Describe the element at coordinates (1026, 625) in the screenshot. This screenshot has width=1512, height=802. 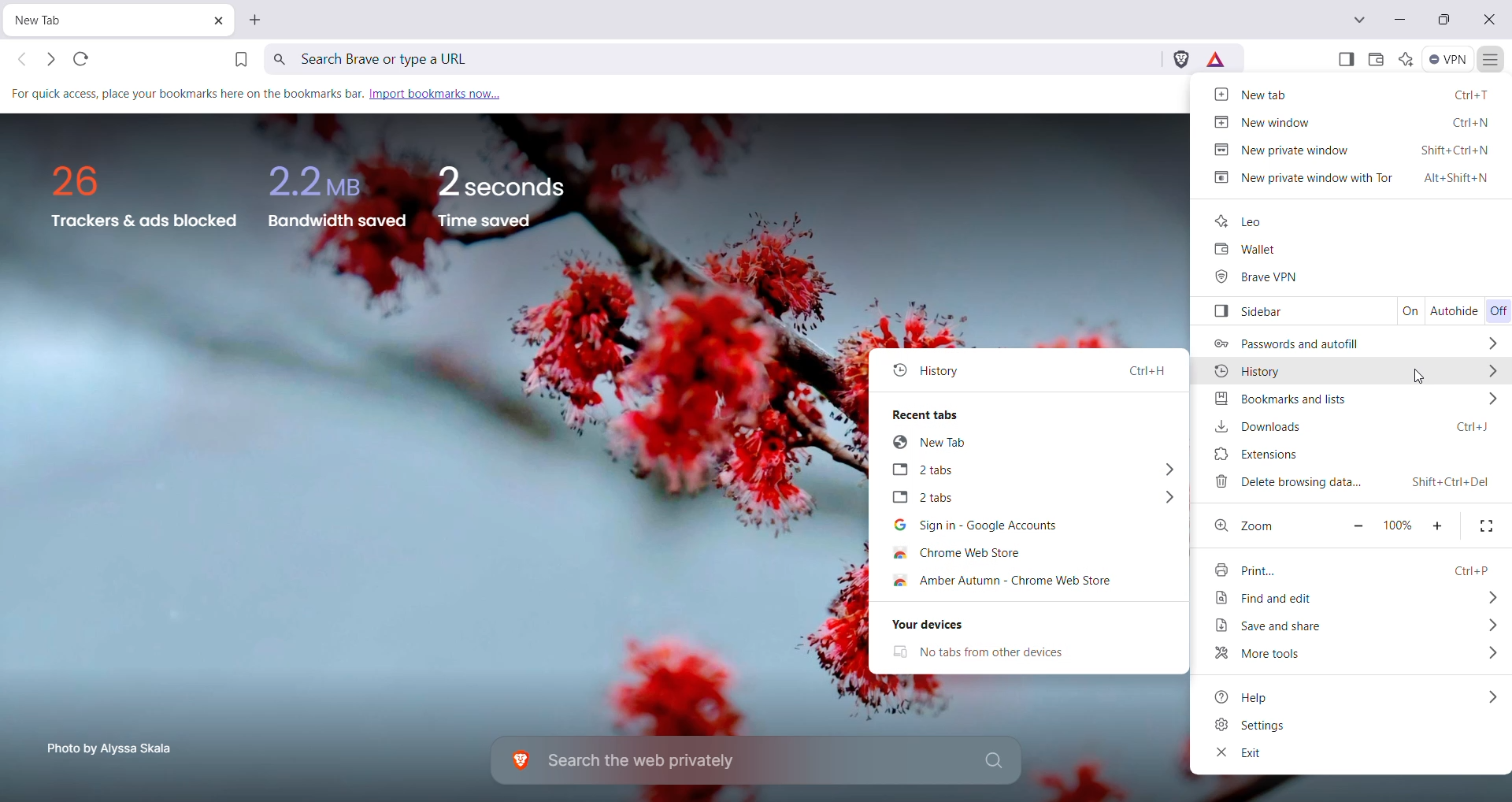
I see `Your devices` at that location.